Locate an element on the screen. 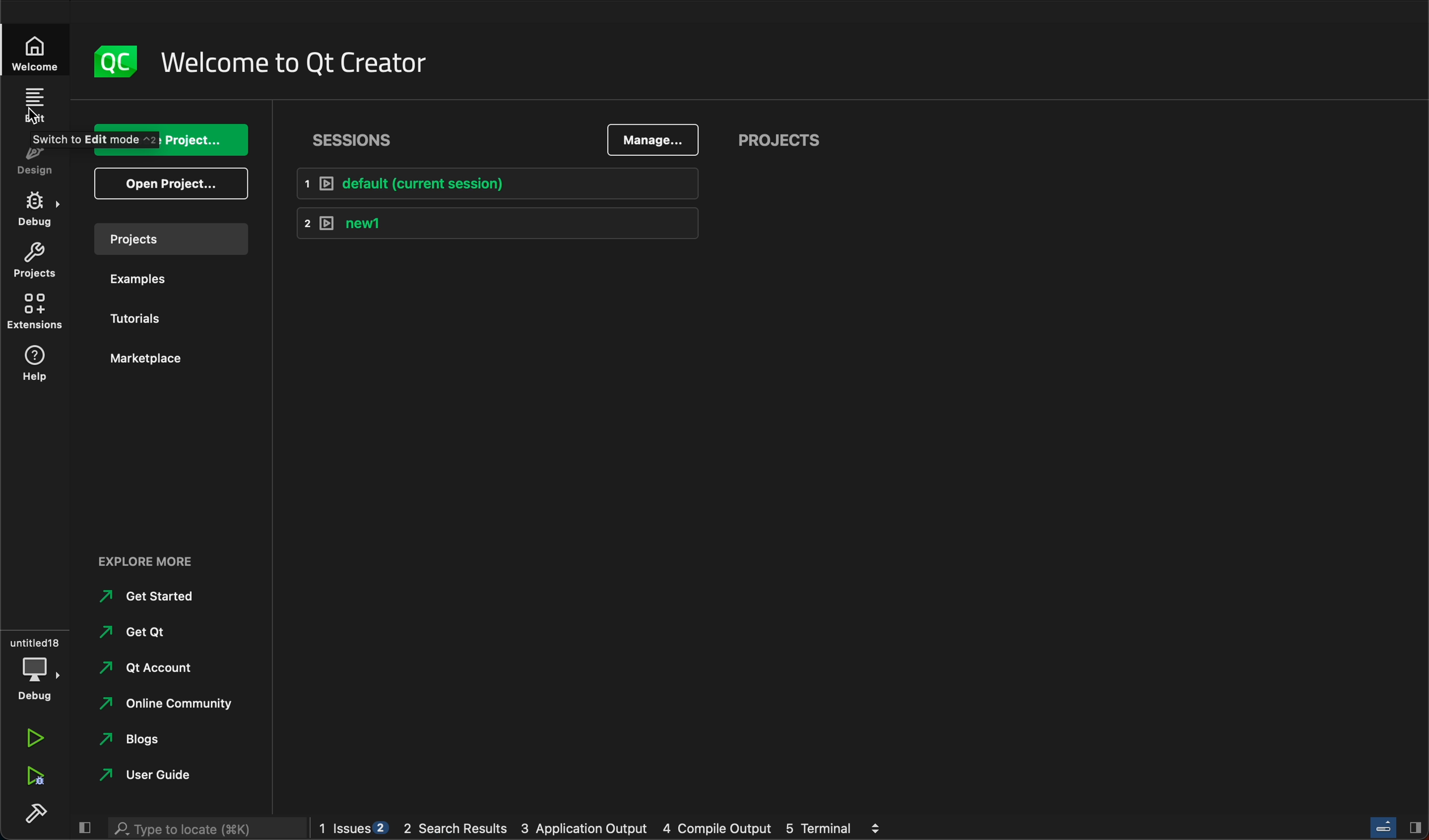  new 1 is located at coordinates (495, 224).